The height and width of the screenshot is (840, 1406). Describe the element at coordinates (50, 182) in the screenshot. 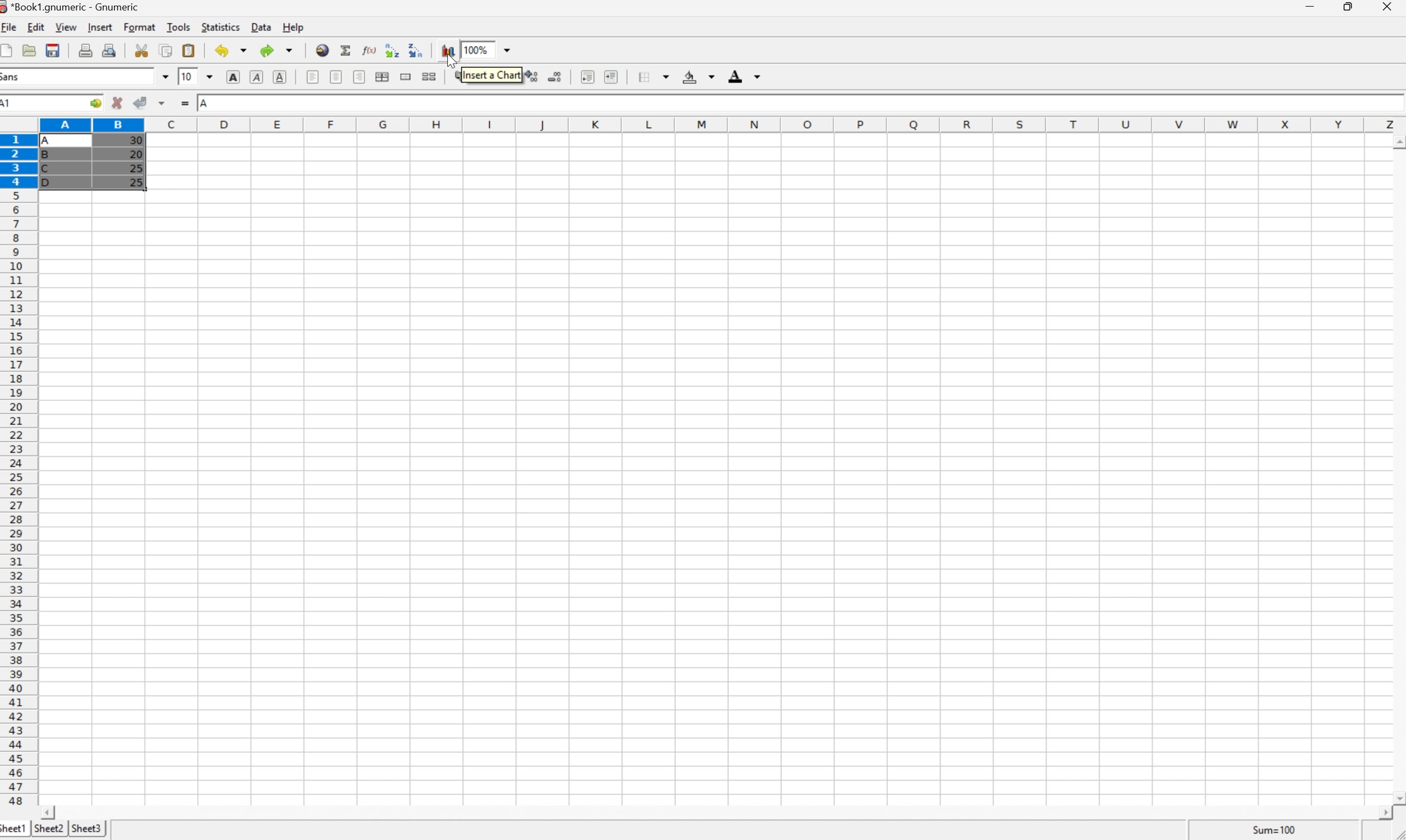

I see `D` at that location.